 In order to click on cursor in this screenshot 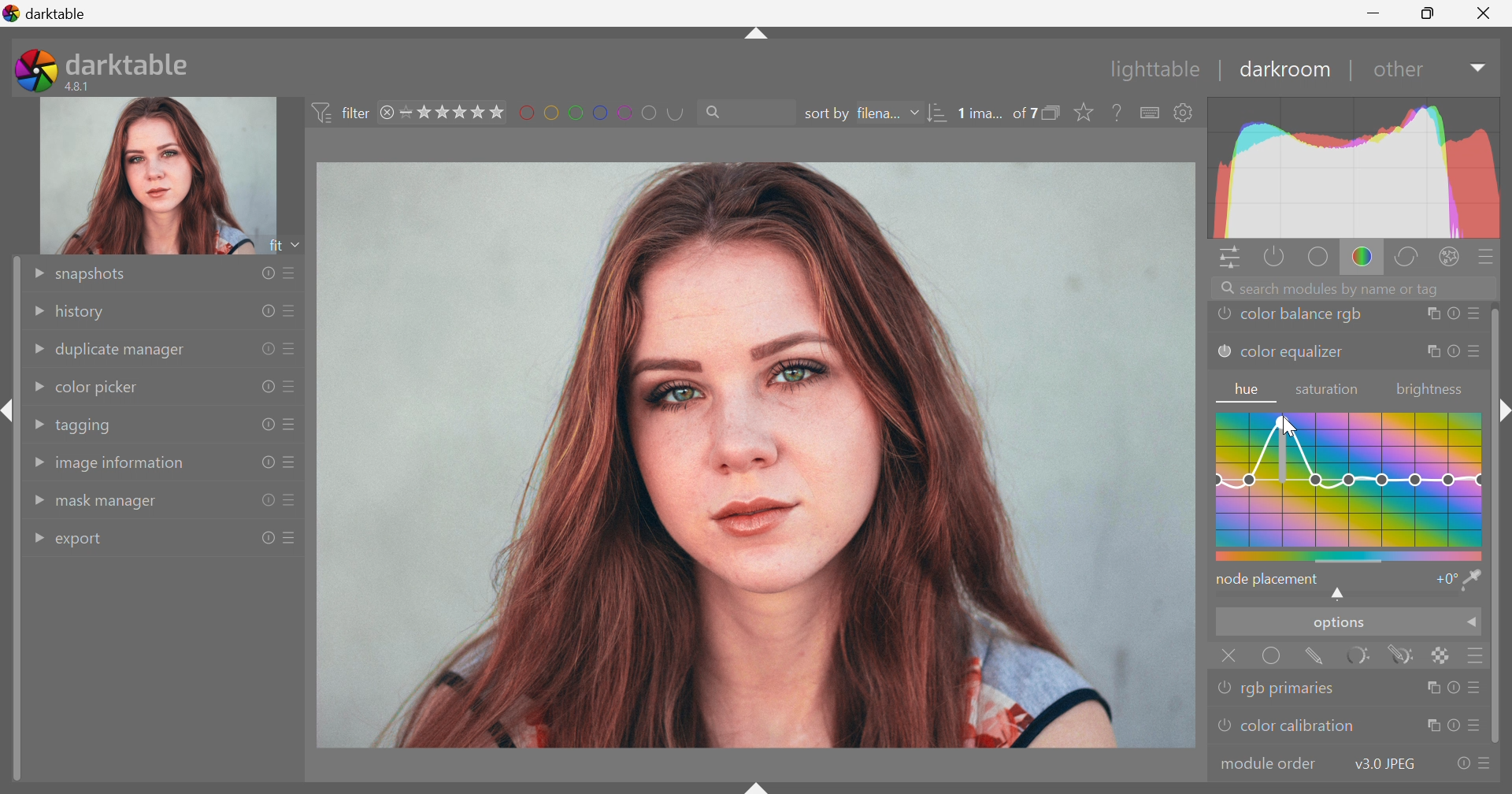, I will do `click(1288, 427)`.